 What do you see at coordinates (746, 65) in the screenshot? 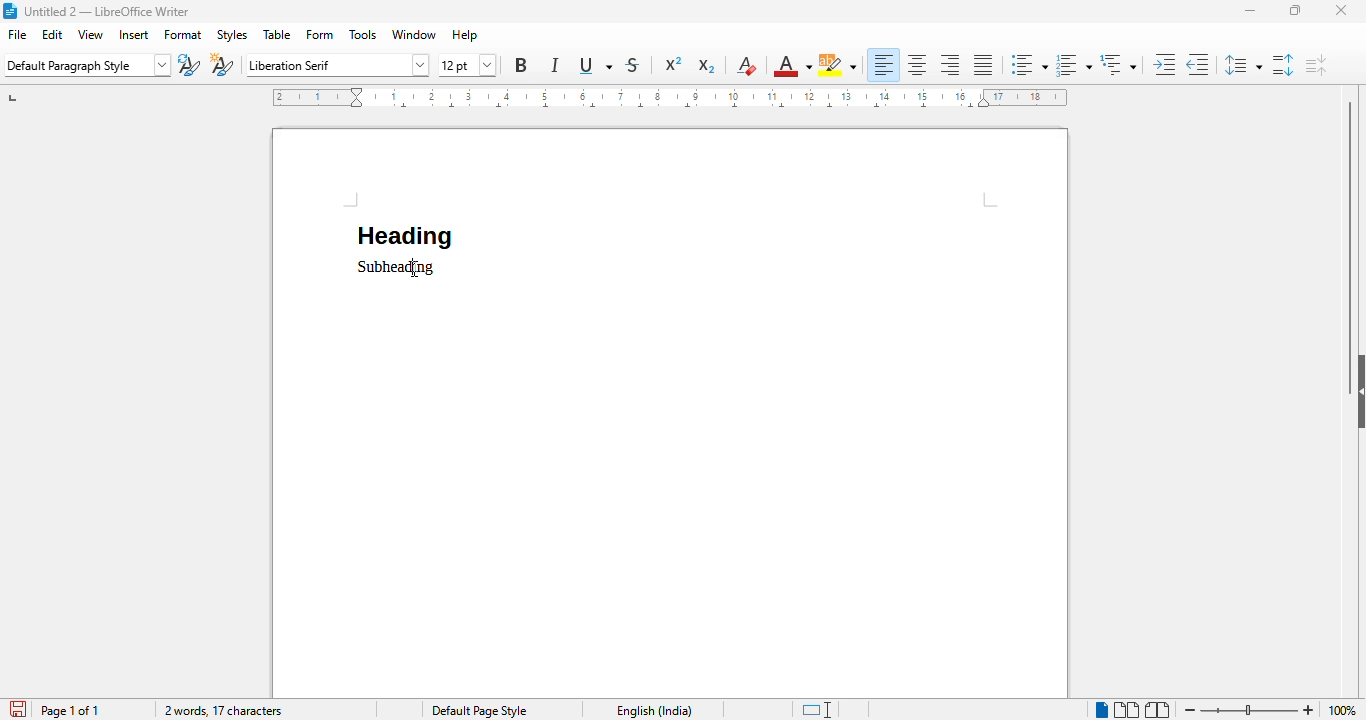
I see `clear direct formatting` at bounding box center [746, 65].